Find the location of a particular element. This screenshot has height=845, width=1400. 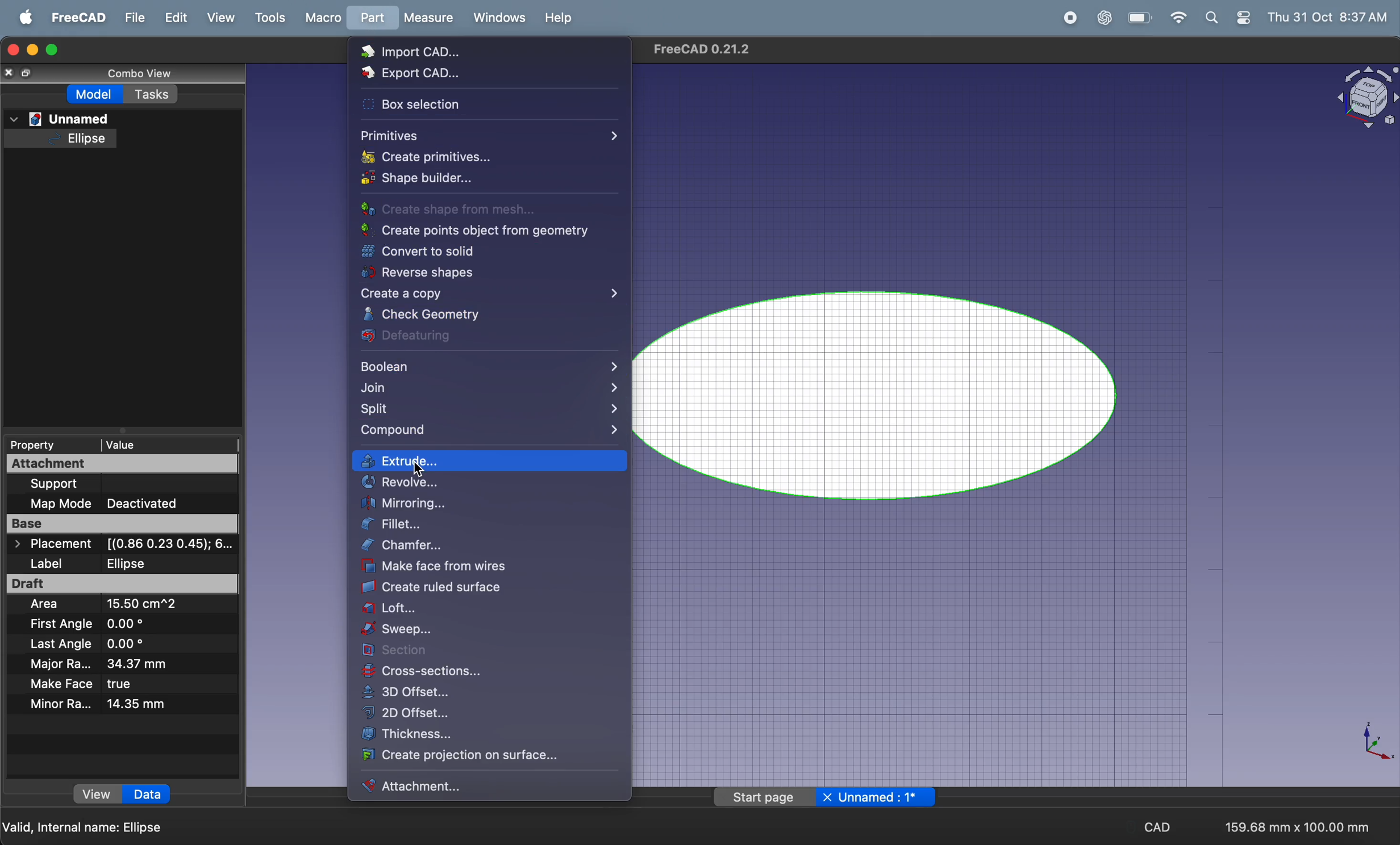

draft is located at coordinates (122, 584).